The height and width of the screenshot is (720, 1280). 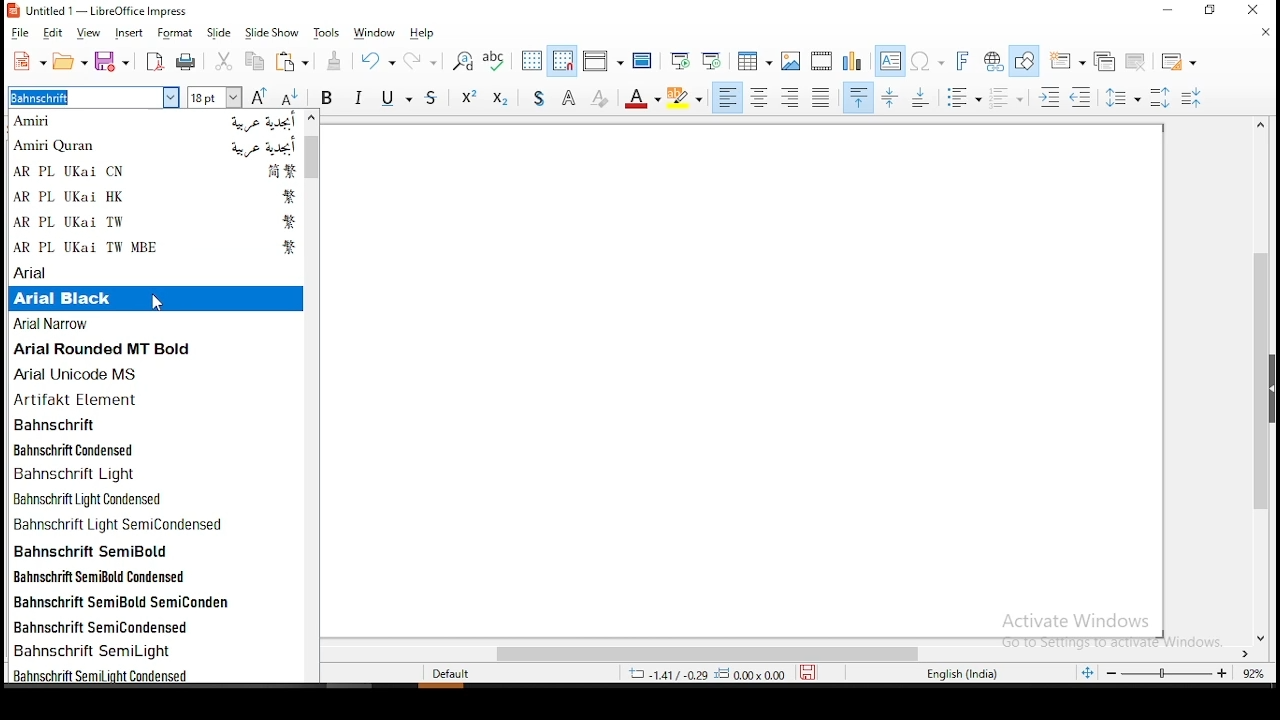 I want to click on display views, so click(x=601, y=58).